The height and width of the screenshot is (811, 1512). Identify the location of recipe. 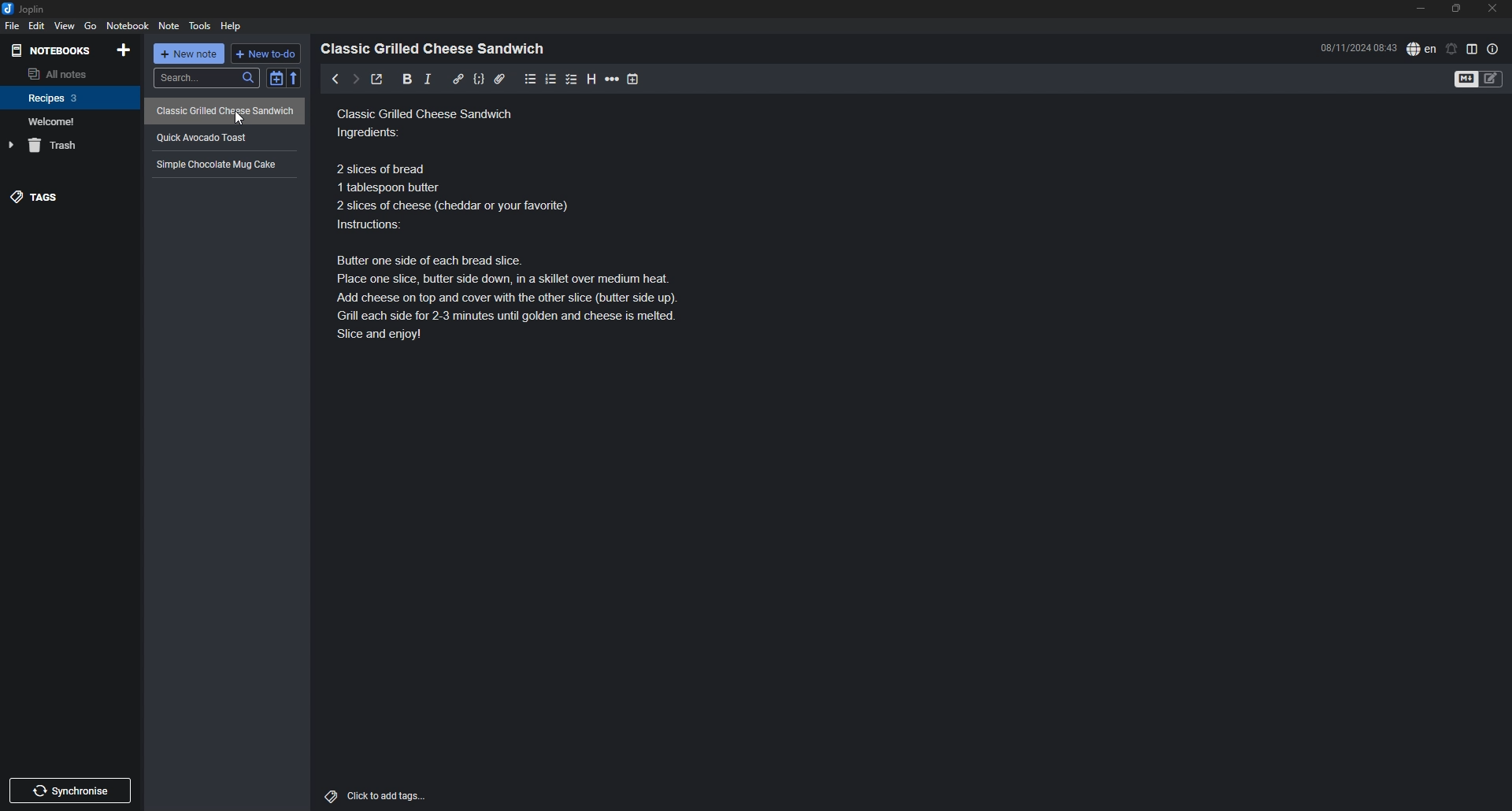
(222, 164).